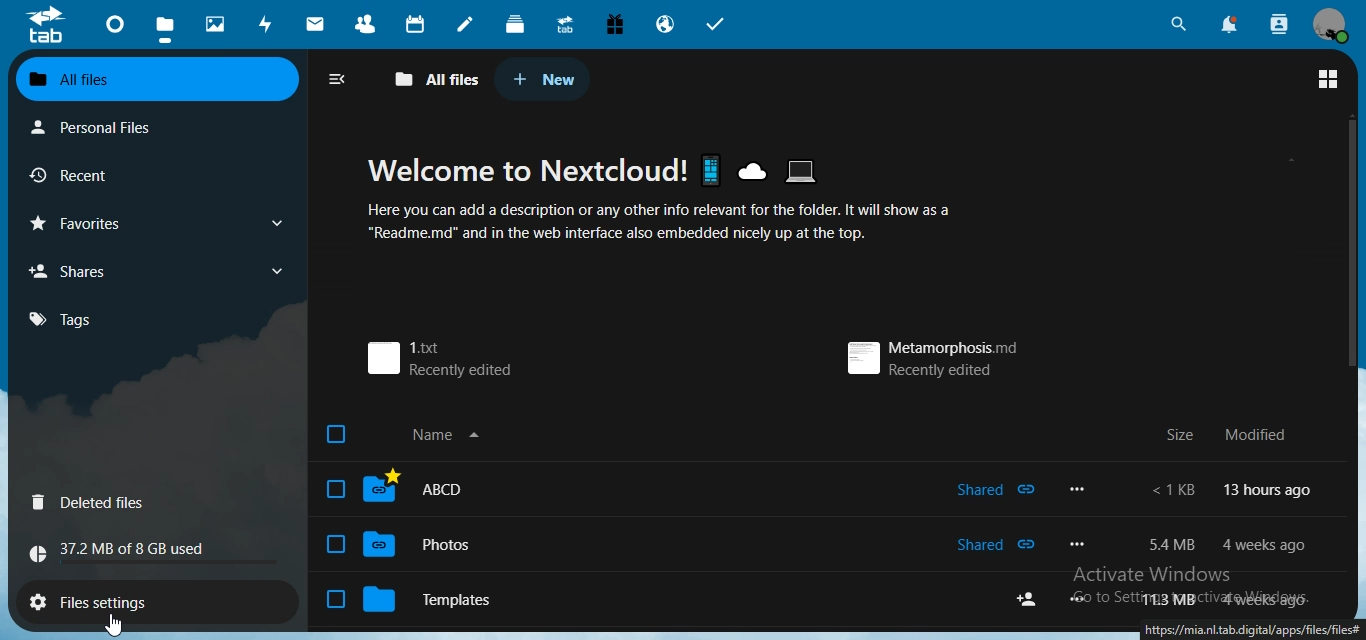 The image size is (1366, 640). Describe the element at coordinates (1172, 437) in the screenshot. I see `size` at that location.